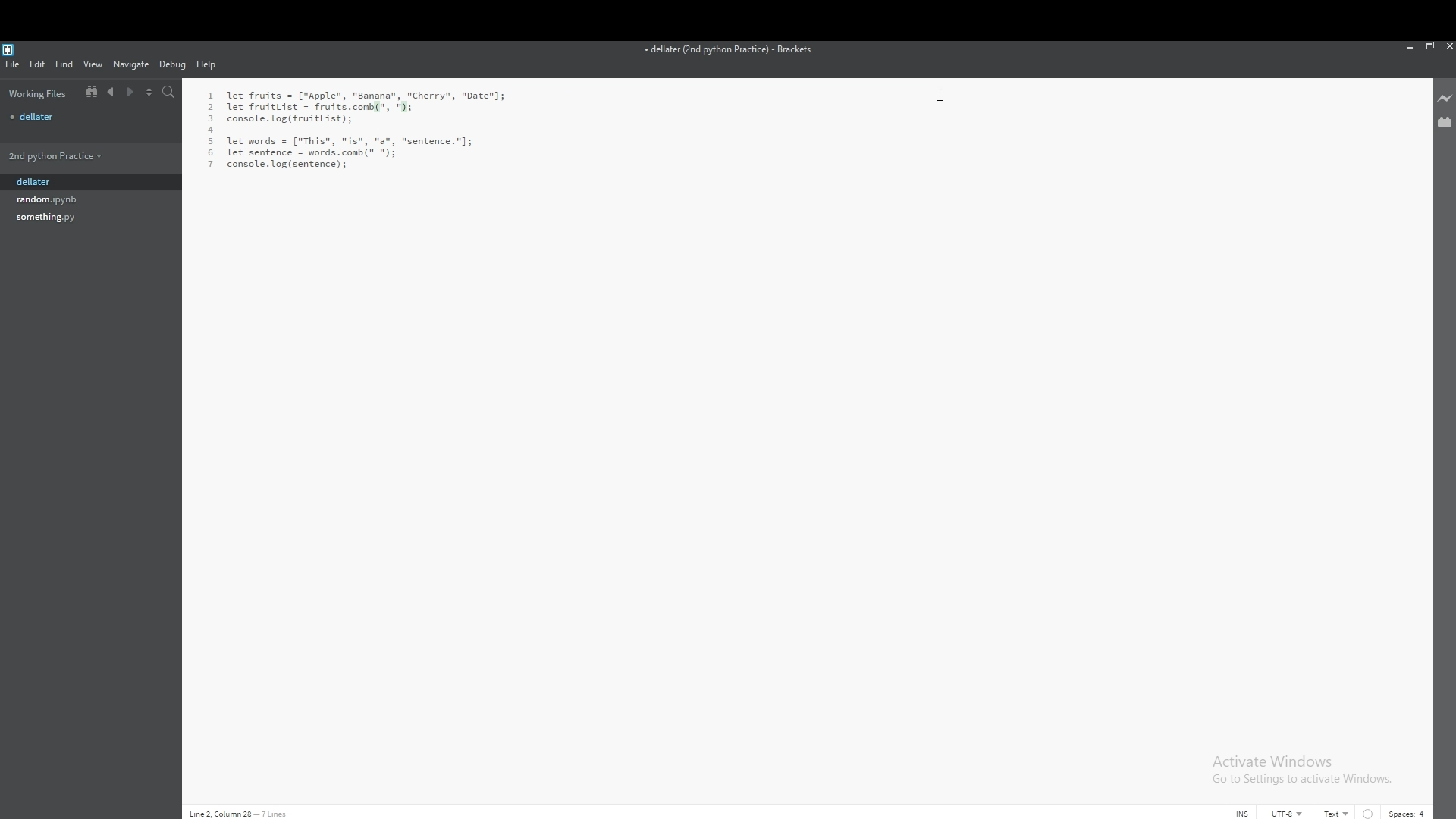  What do you see at coordinates (173, 64) in the screenshot?
I see `debug` at bounding box center [173, 64].